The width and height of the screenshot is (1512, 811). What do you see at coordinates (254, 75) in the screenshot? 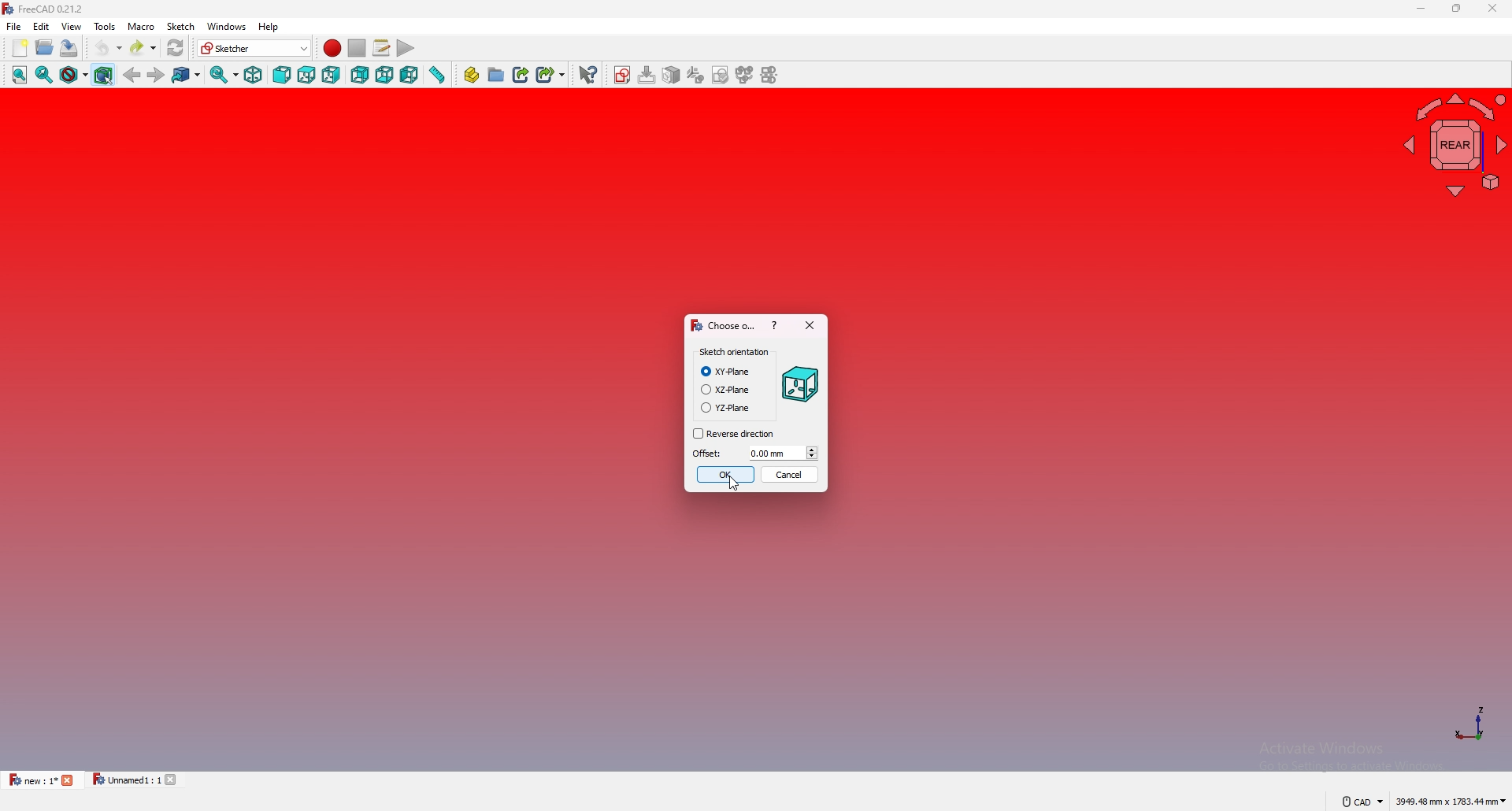
I see `isometric` at bounding box center [254, 75].